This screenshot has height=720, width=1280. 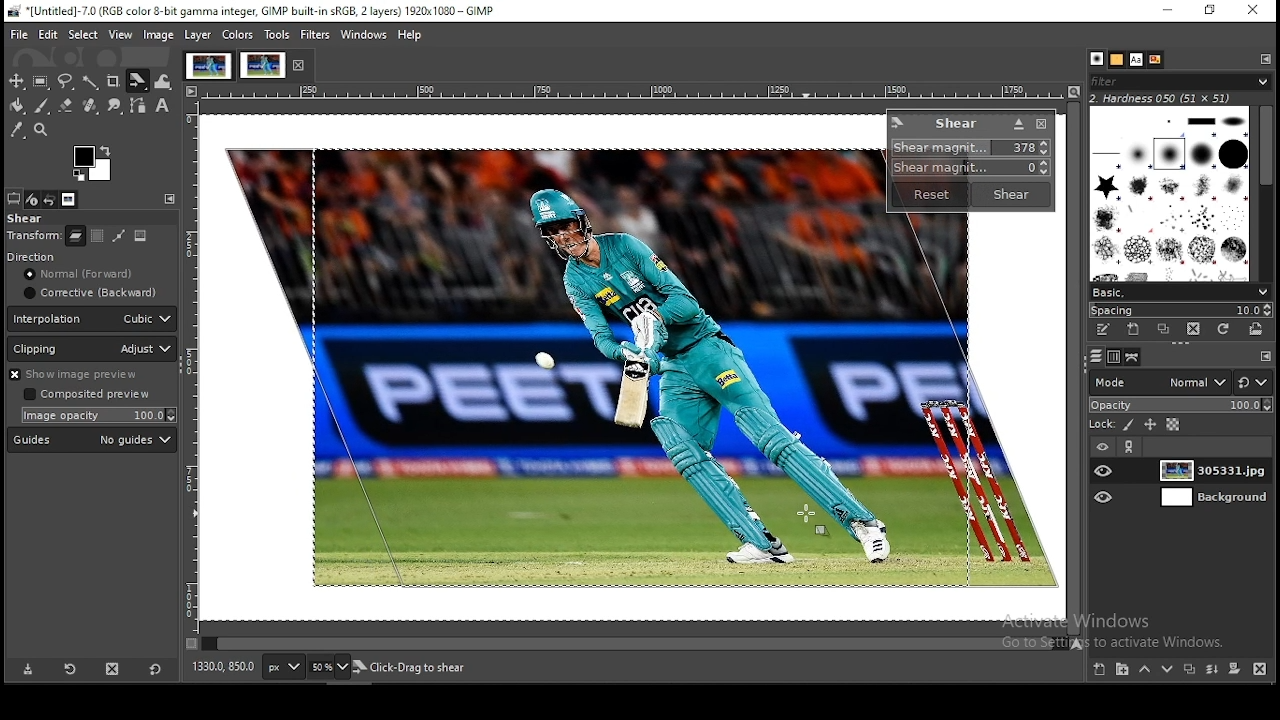 I want to click on lock pixel, so click(x=1129, y=427).